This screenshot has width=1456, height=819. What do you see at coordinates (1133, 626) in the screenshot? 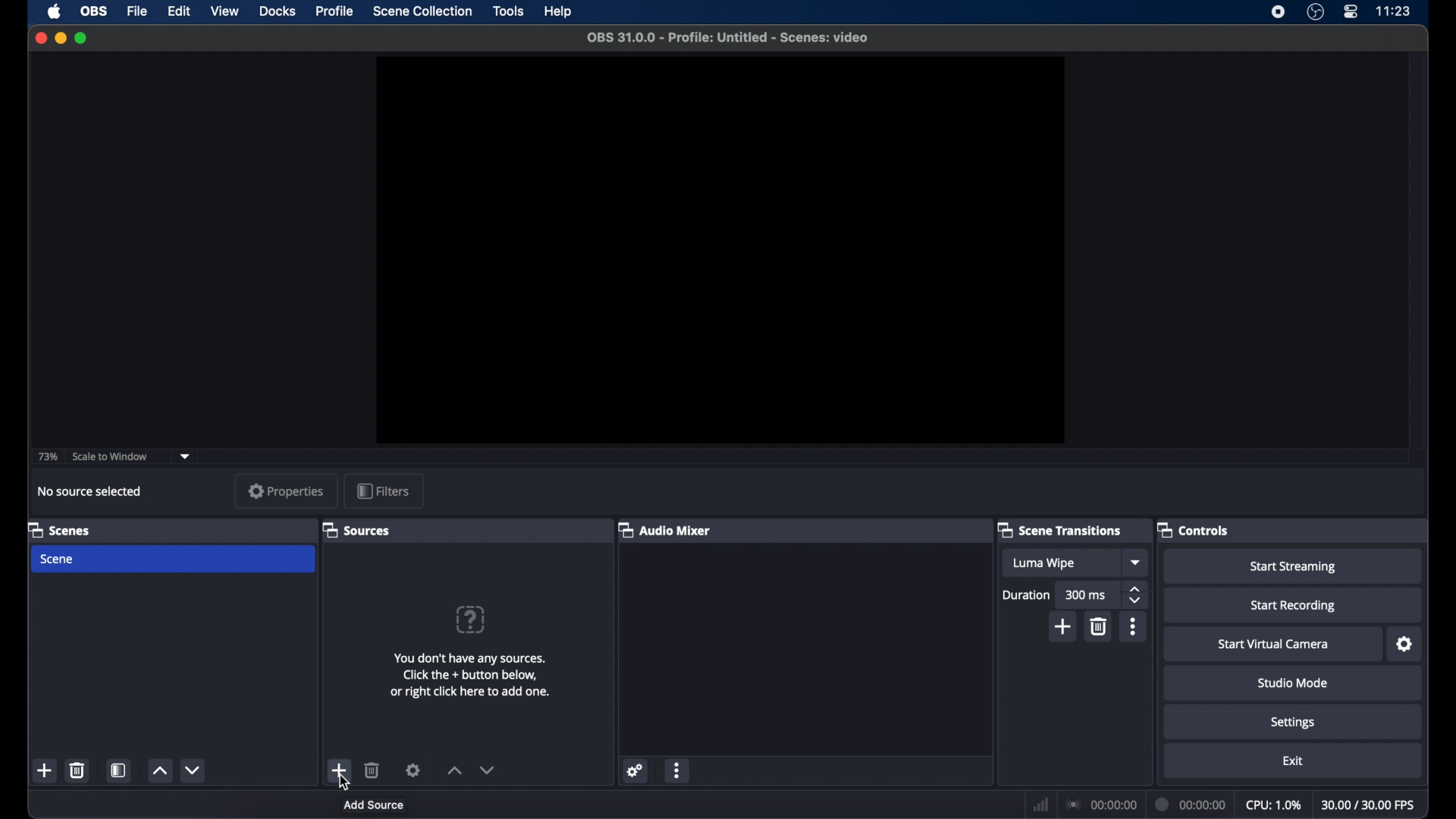
I see `more options` at bounding box center [1133, 626].